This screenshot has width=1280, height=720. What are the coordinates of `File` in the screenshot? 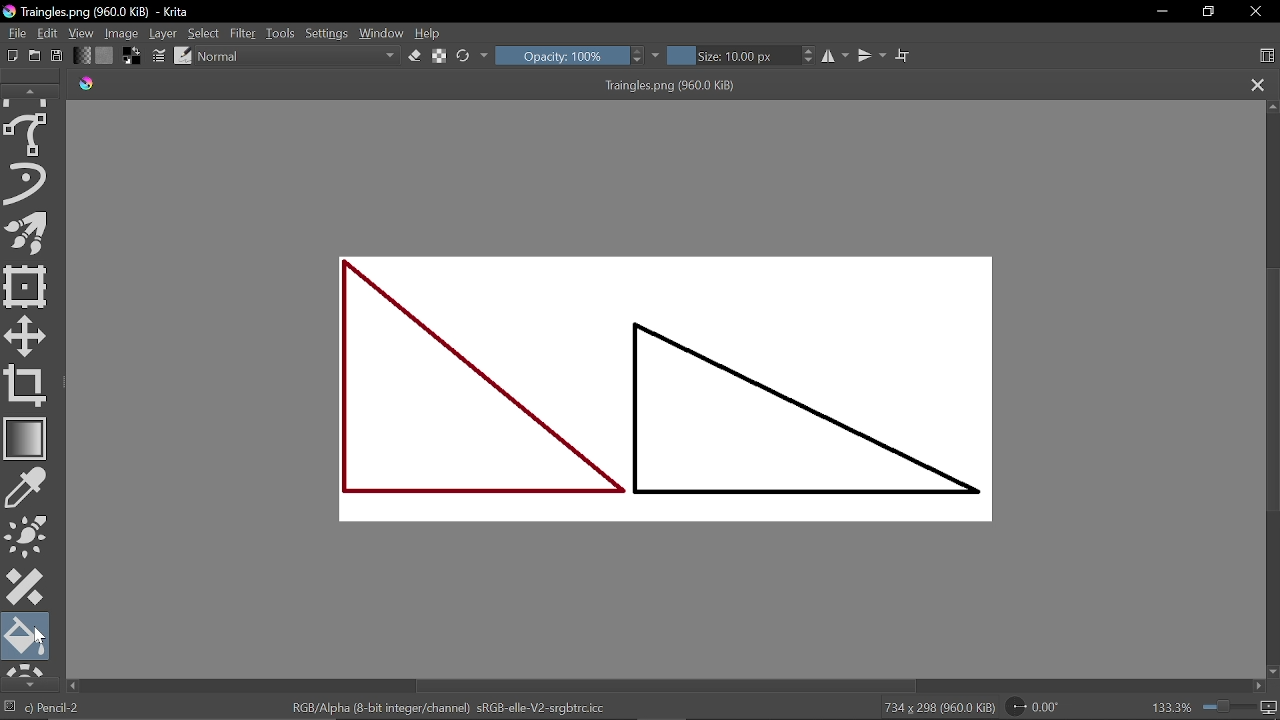 It's located at (14, 35).